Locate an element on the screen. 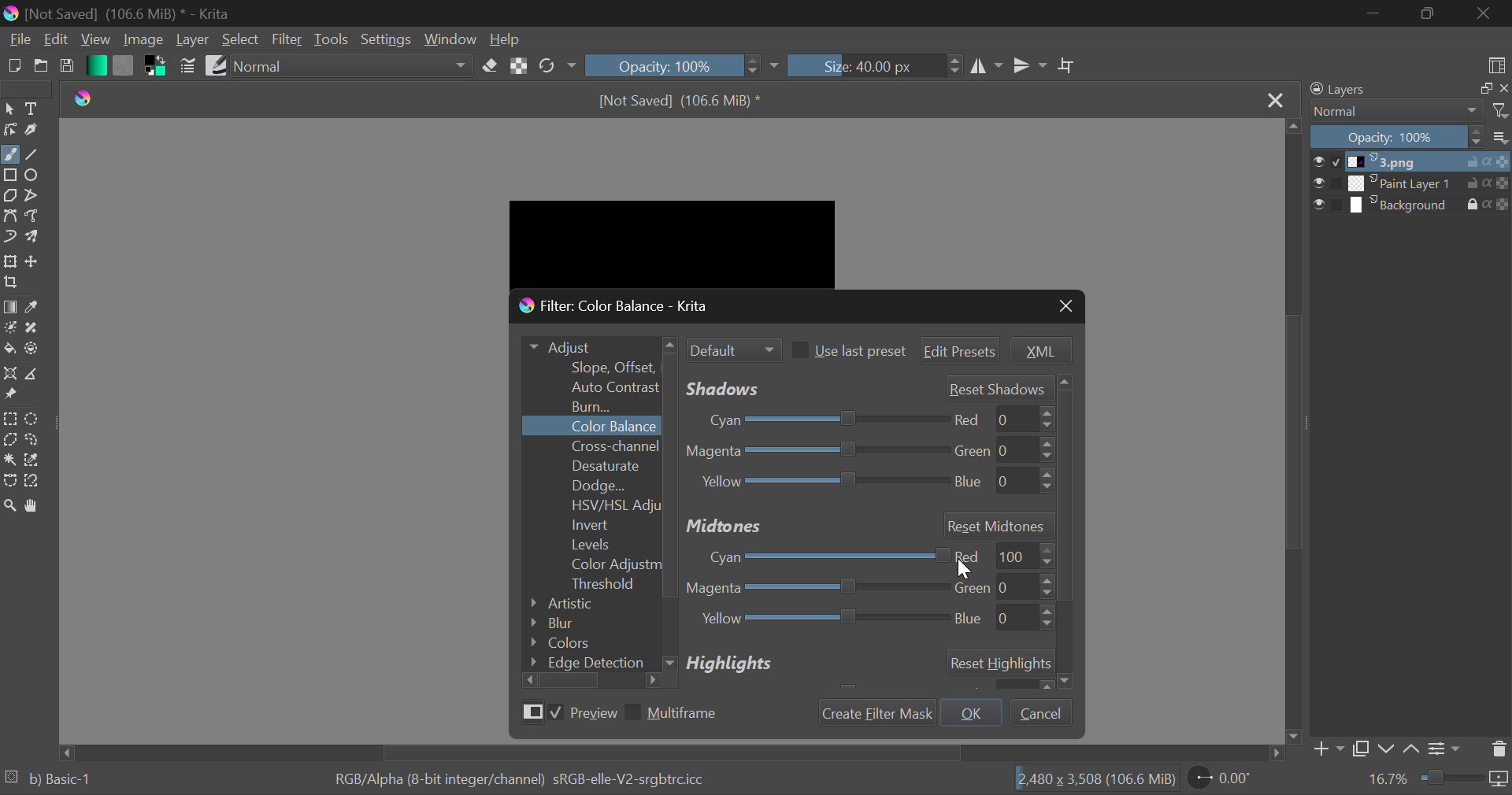  OK is located at coordinates (969, 712).